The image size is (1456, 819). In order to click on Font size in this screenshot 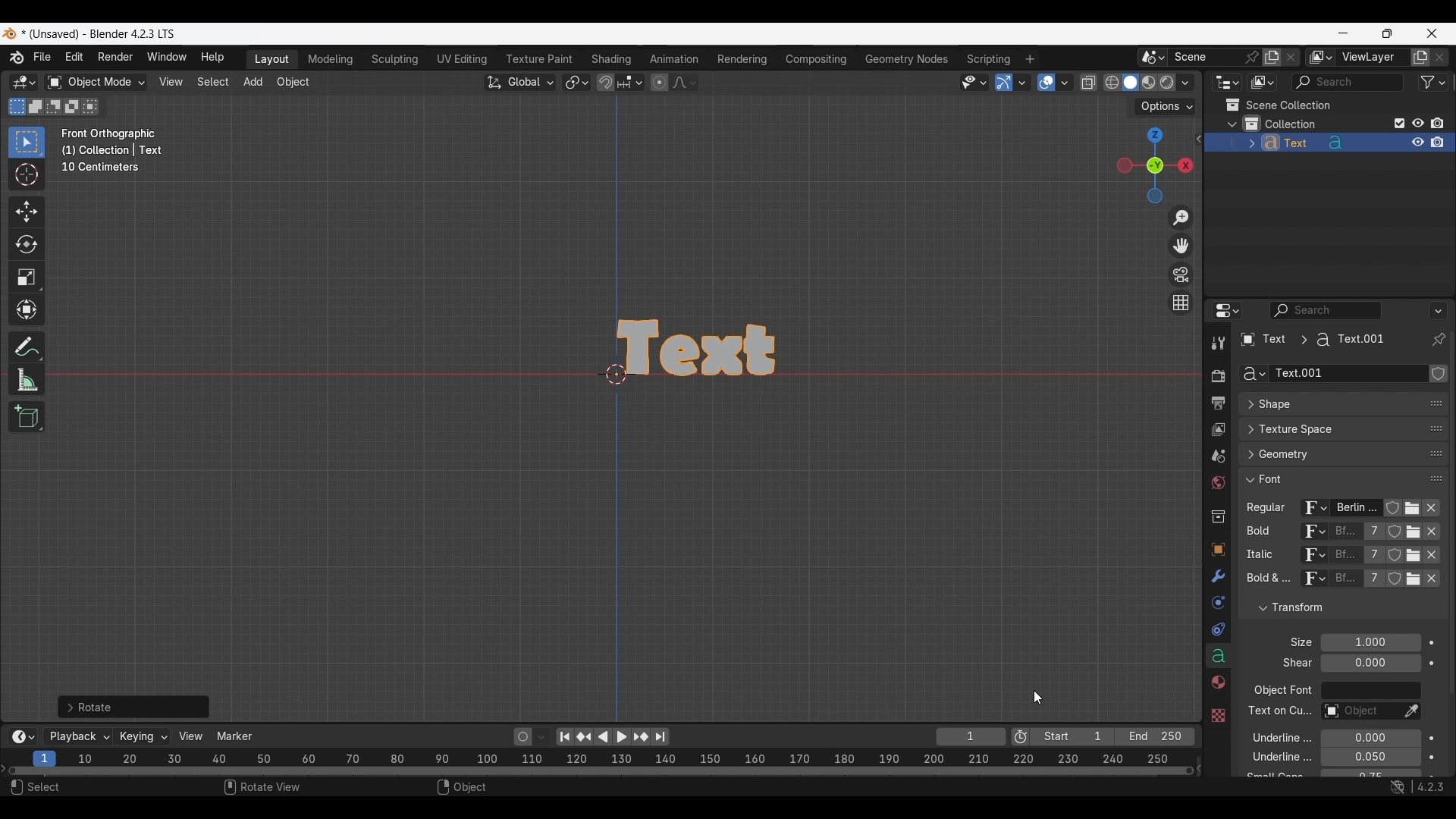, I will do `click(1372, 643)`.